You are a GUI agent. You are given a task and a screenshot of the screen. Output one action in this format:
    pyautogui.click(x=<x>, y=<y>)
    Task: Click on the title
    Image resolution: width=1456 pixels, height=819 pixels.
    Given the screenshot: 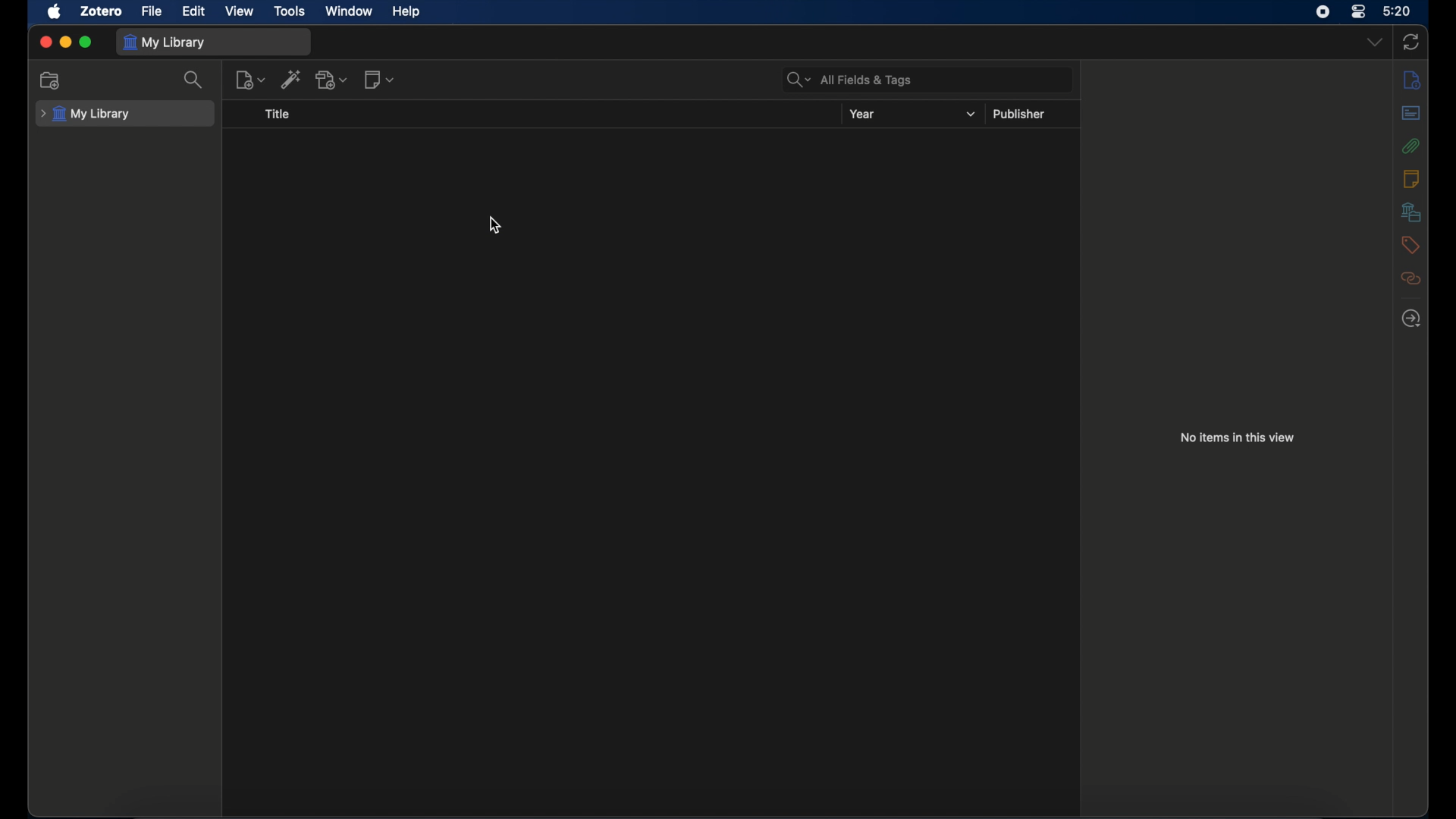 What is the action you would take?
    pyautogui.click(x=278, y=114)
    